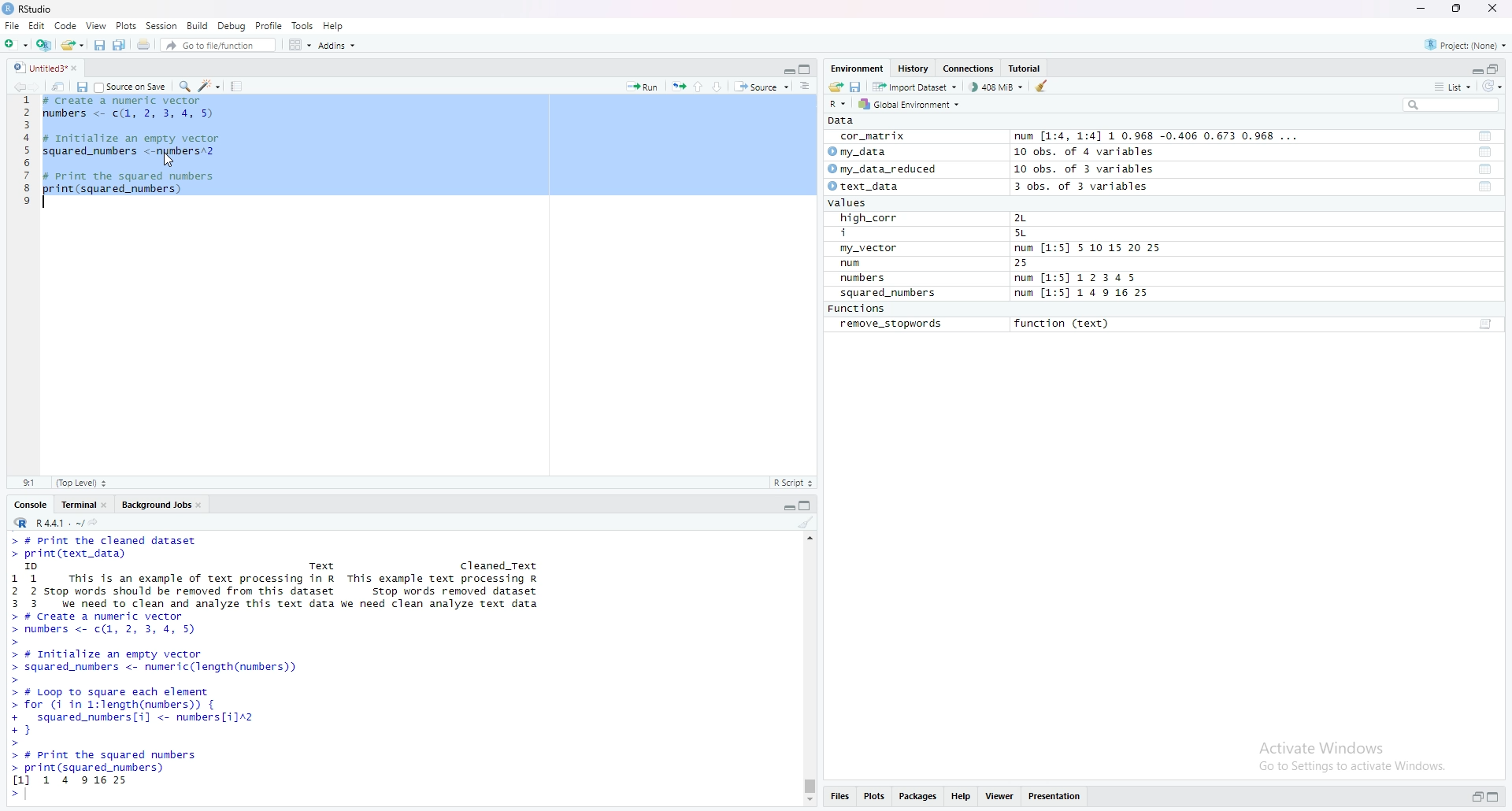  Describe the element at coordinates (1084, 169) in the screenshot. I see `10 obs. of 3 variables` at that location.